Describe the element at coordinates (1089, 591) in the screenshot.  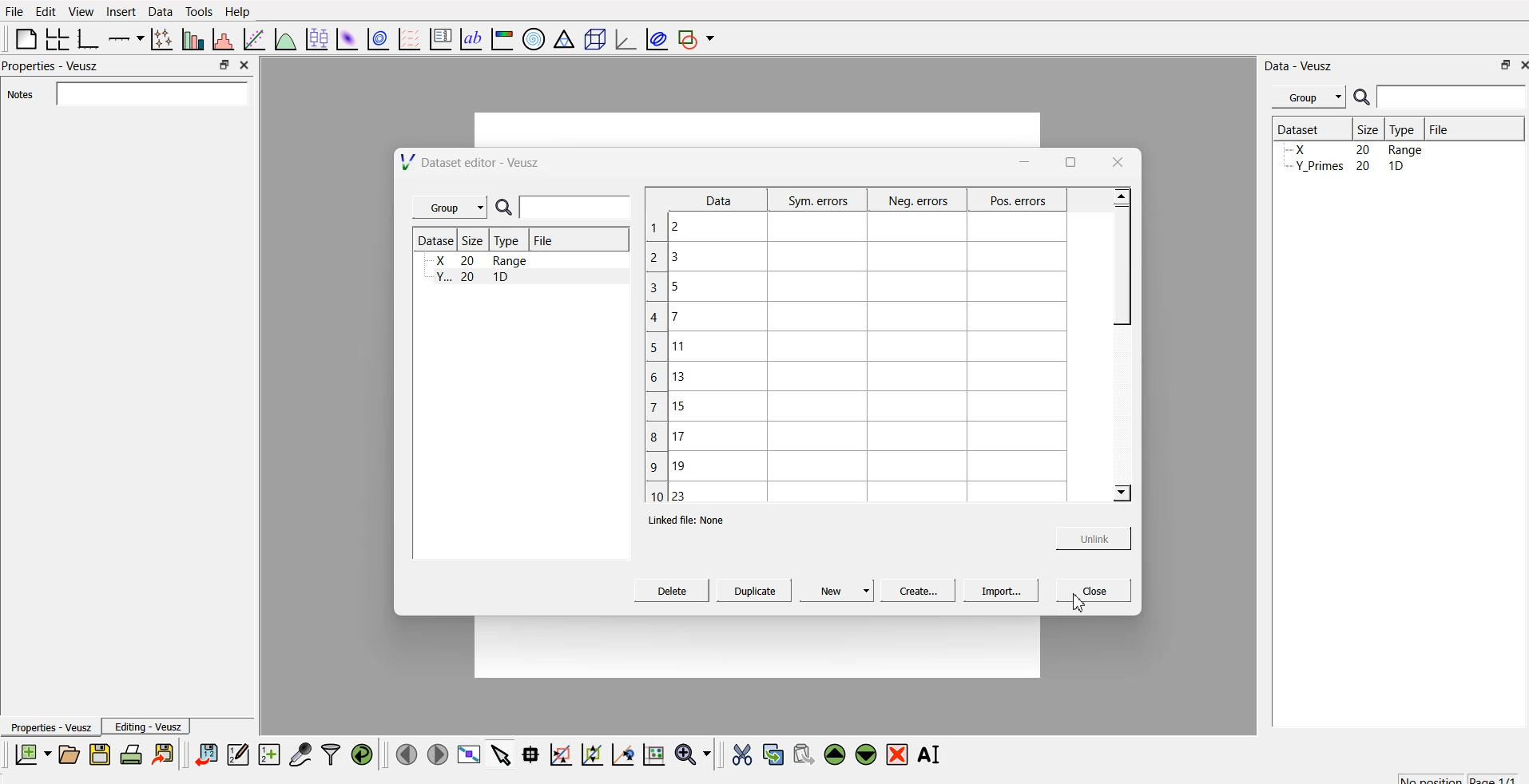
I see `close` at that location.